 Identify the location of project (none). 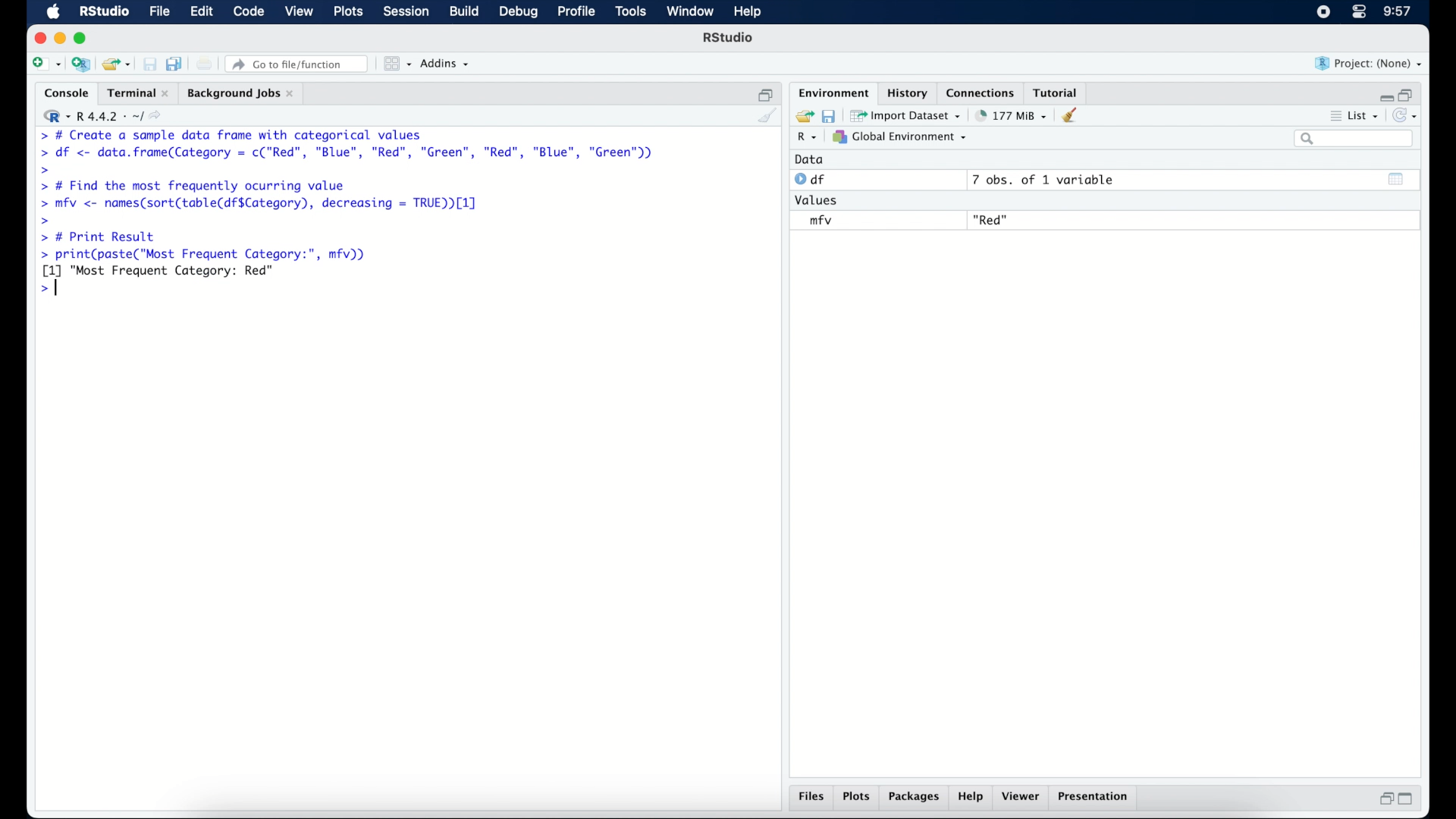
(1369, 63).